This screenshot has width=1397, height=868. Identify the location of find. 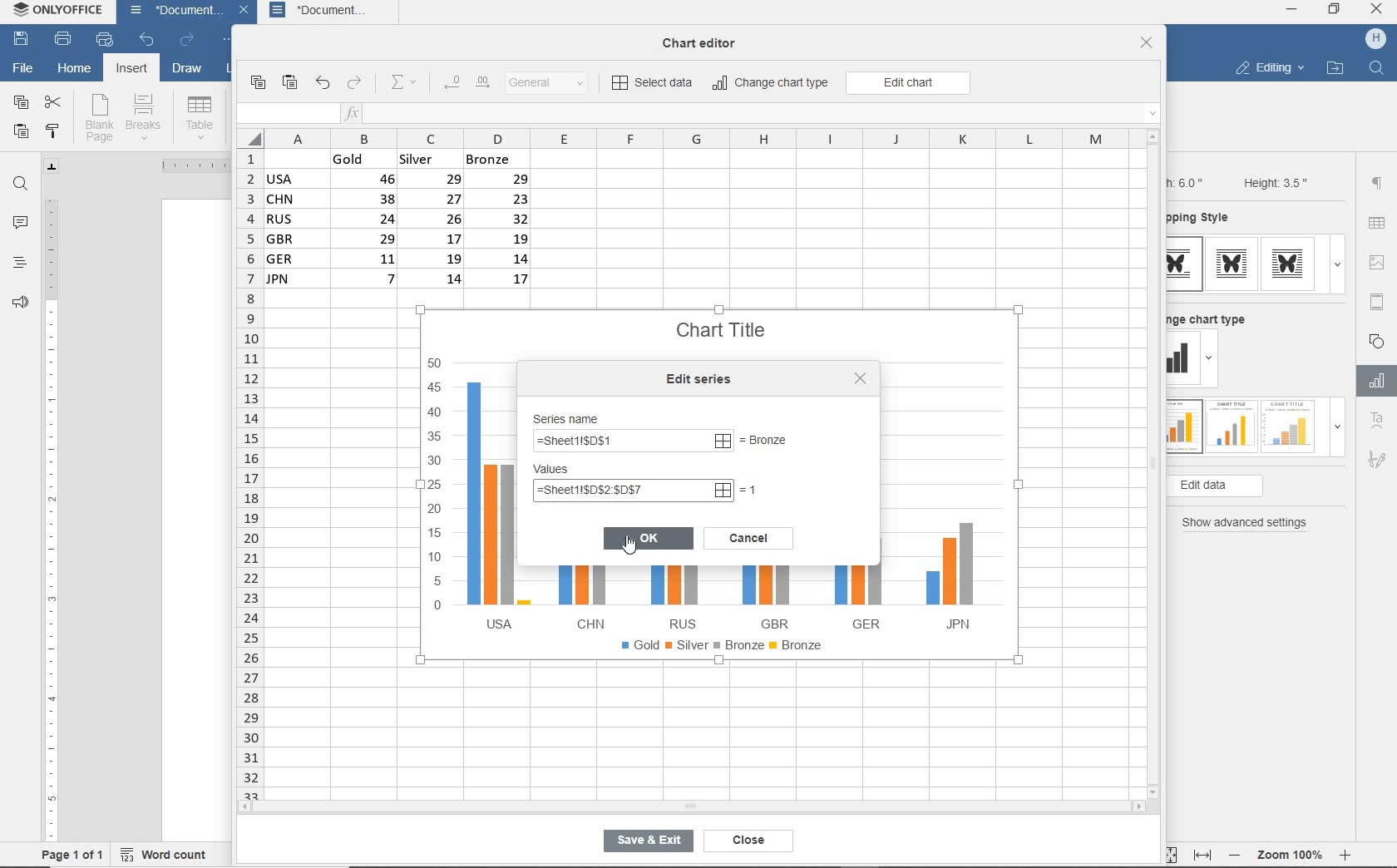
(22, 184).